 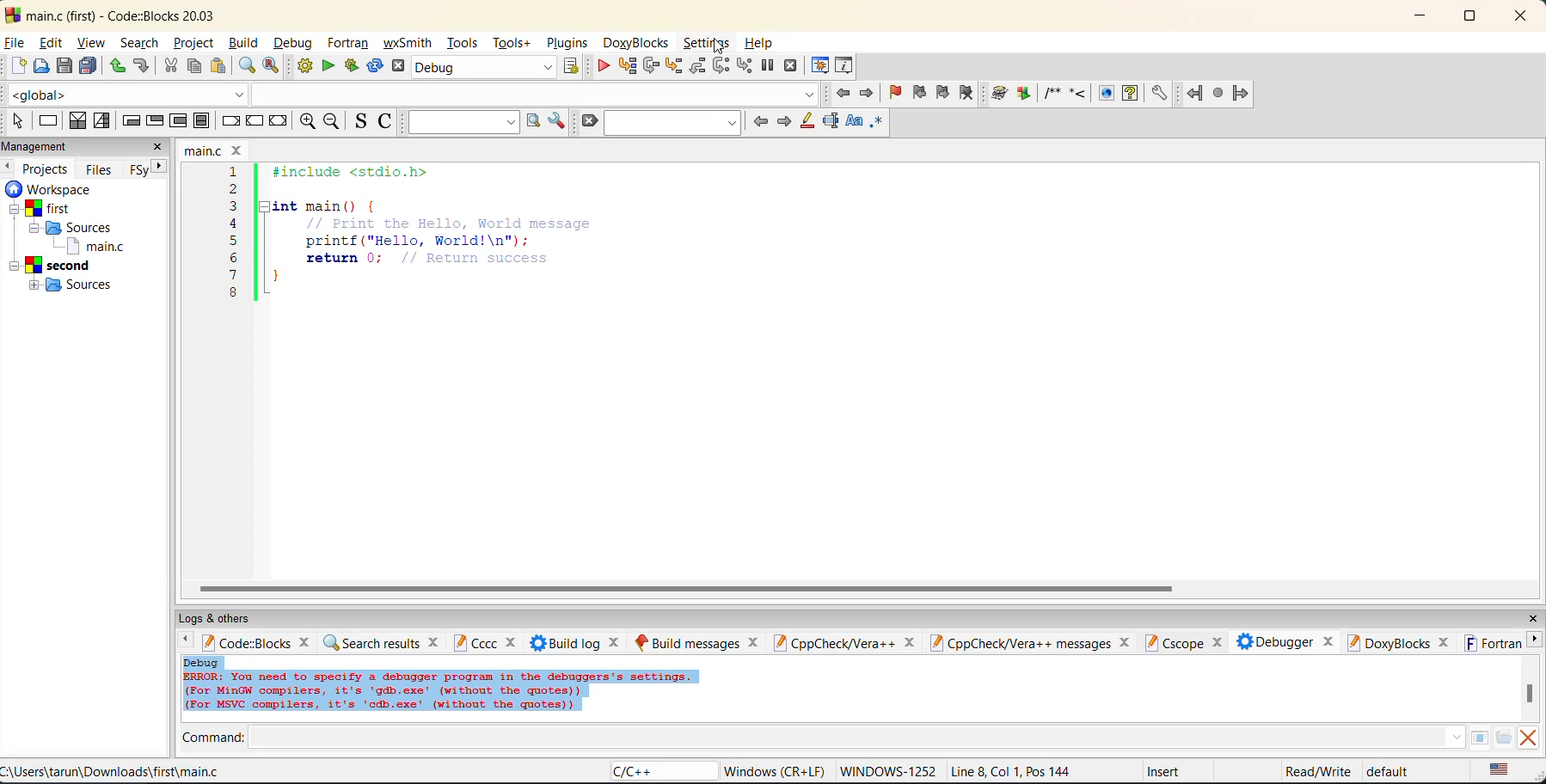 What do you see at coordinates (1159, 95) in the screenshot?
I see `open doxyblocks preferences` at bounding box center [1159, 95].